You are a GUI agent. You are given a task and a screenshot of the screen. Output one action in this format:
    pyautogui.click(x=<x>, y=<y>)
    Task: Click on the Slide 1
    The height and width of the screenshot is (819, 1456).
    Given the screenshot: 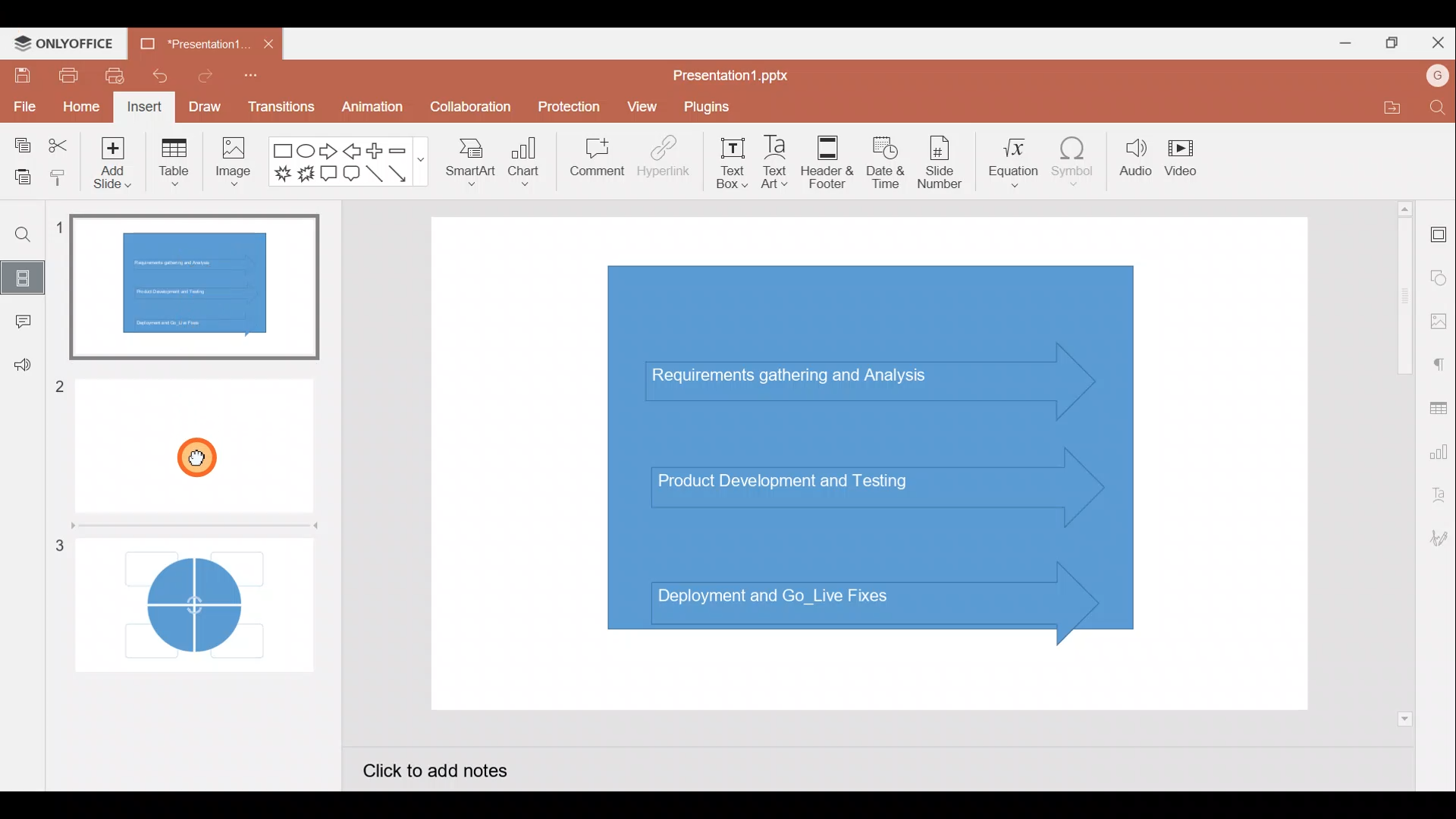 What is the action you would take?
    pyautogui.click(x=201, y=288)
    